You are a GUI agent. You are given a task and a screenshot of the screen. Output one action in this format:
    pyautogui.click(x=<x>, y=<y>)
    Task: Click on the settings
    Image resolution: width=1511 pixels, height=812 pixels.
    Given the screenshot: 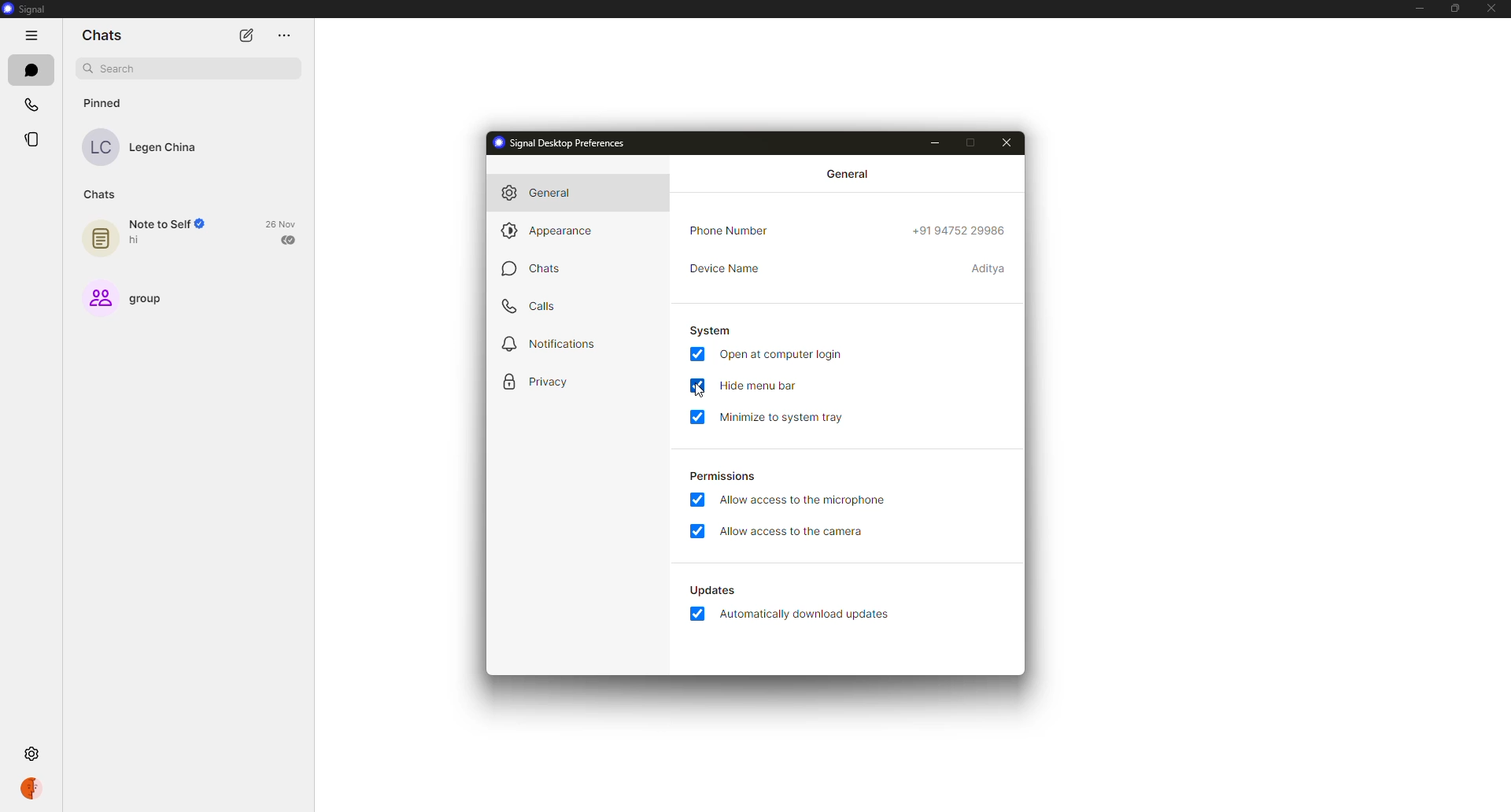 What is the action you would take?
    pyautogui.click(x=35, y=752)
    